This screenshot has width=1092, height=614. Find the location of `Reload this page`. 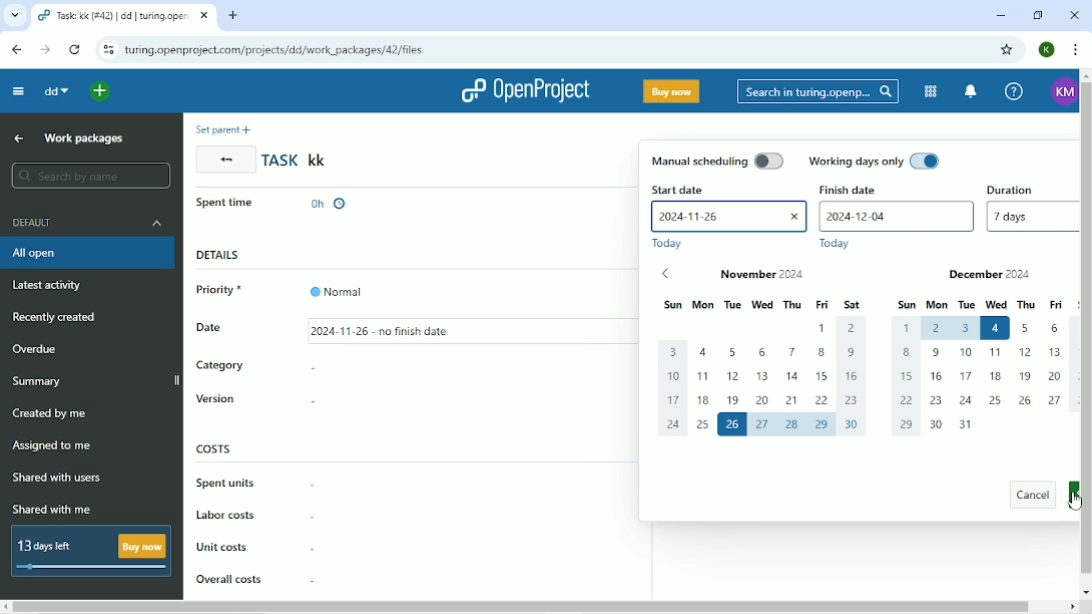

Reload this page is located at coordinates (77, 50).